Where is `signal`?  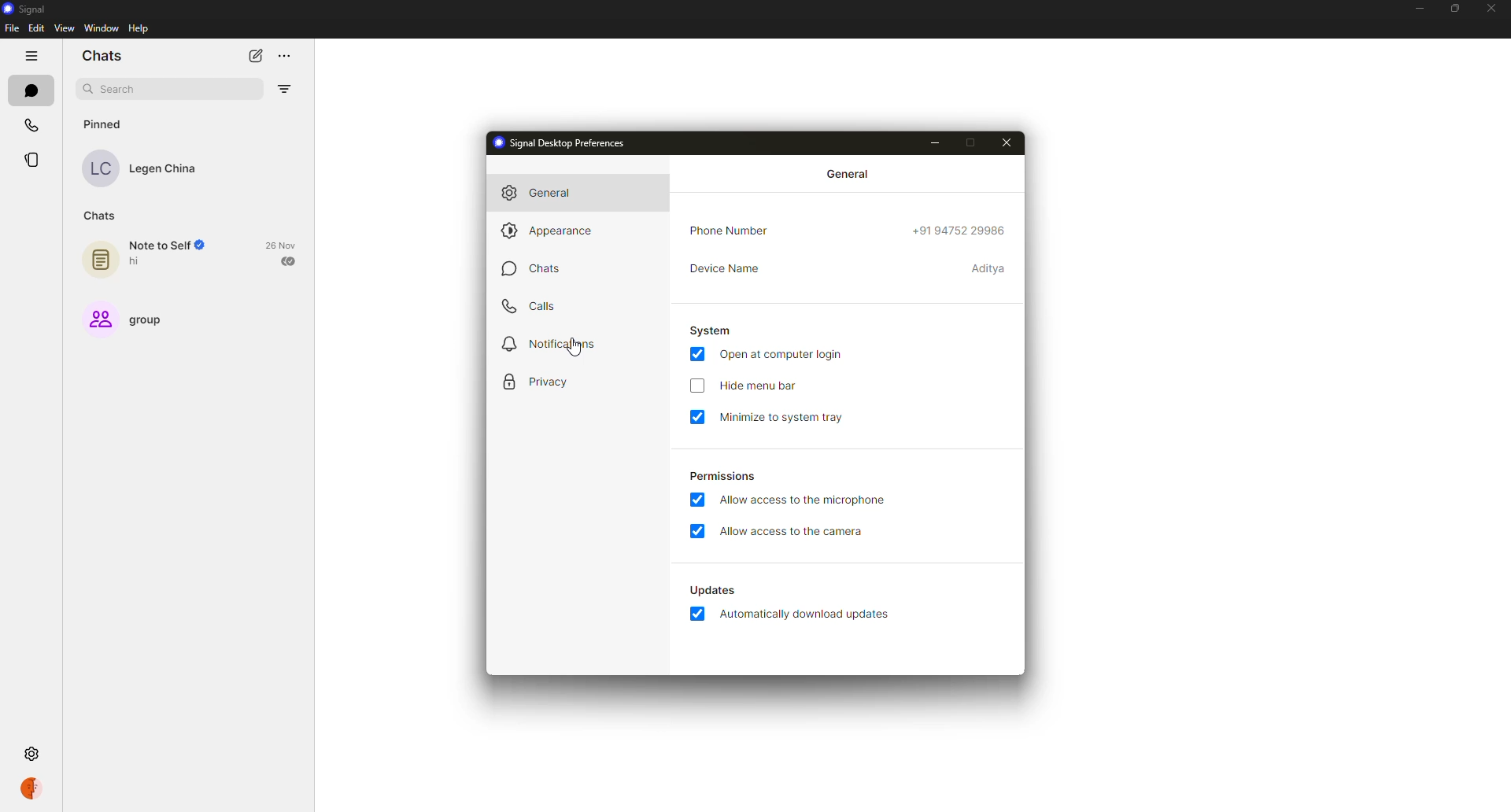 signal is located at coordinates (31, 9).